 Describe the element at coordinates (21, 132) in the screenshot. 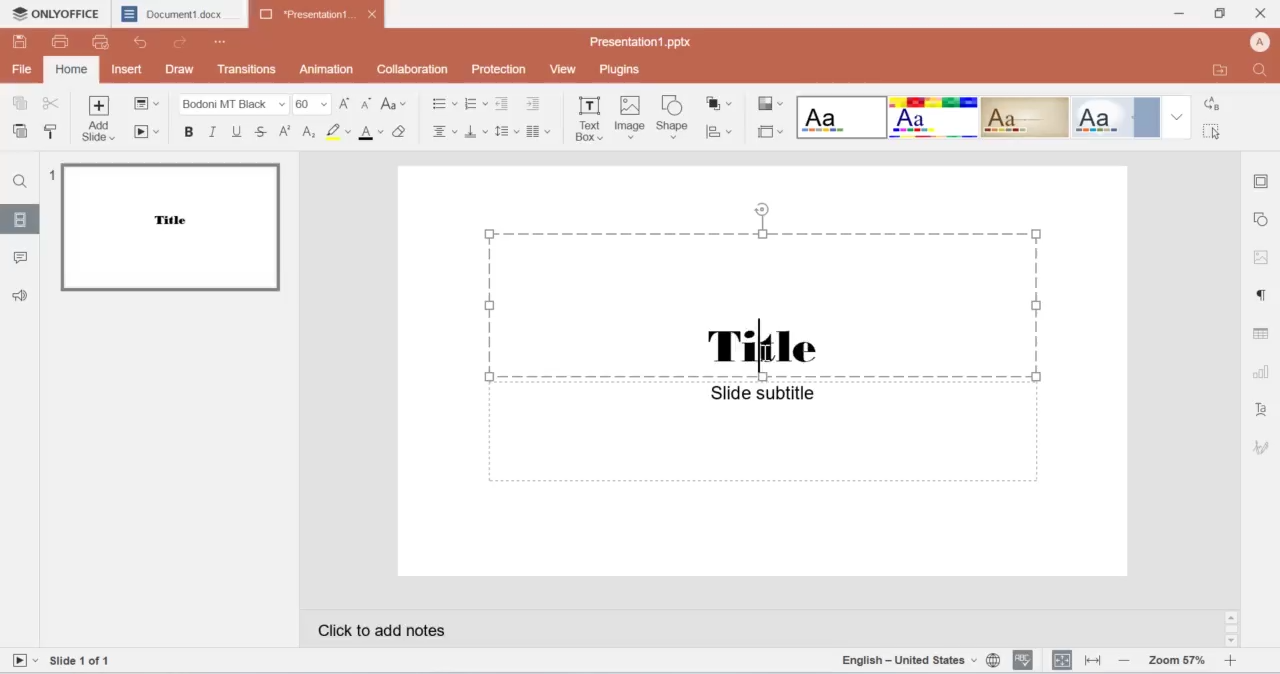

I see `paste` at that location.